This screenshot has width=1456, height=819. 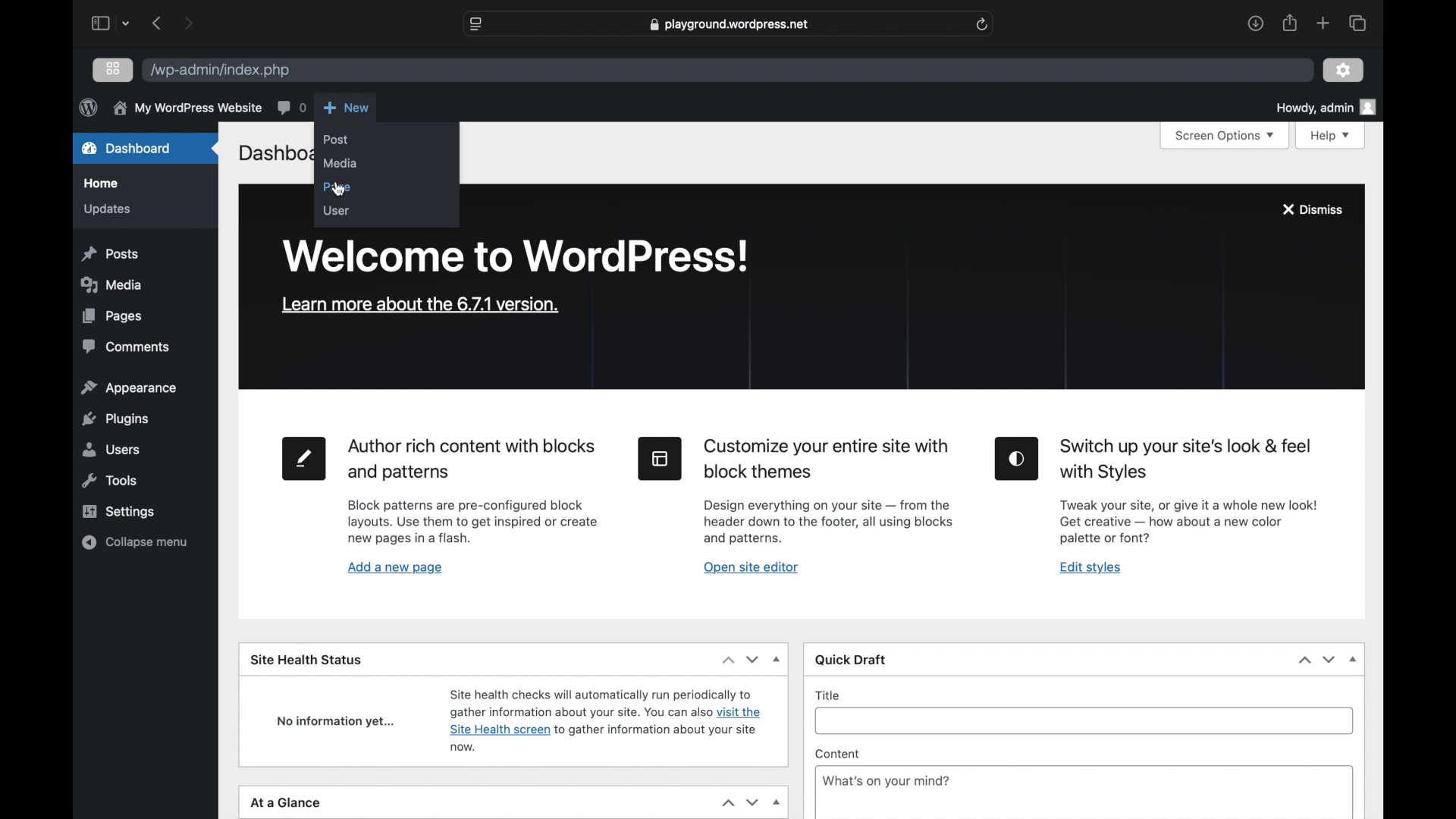 I want to click on pages, so click(x=113, y=316).